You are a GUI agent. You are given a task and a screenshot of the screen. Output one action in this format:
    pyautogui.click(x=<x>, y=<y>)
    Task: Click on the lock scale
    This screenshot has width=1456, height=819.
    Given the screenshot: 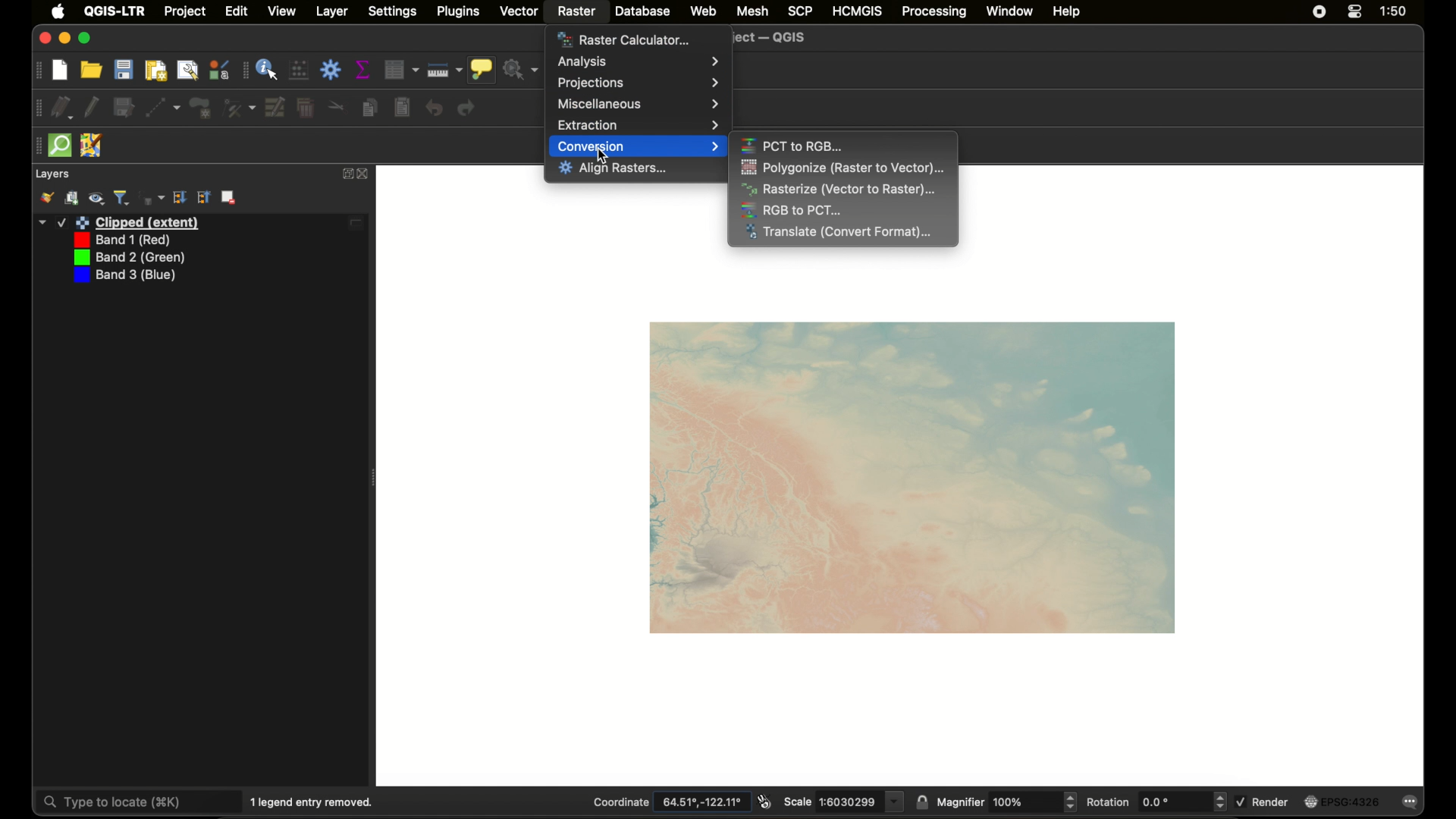 What is the action you would take?
    pyautogui.click(x=921, y=804)
    